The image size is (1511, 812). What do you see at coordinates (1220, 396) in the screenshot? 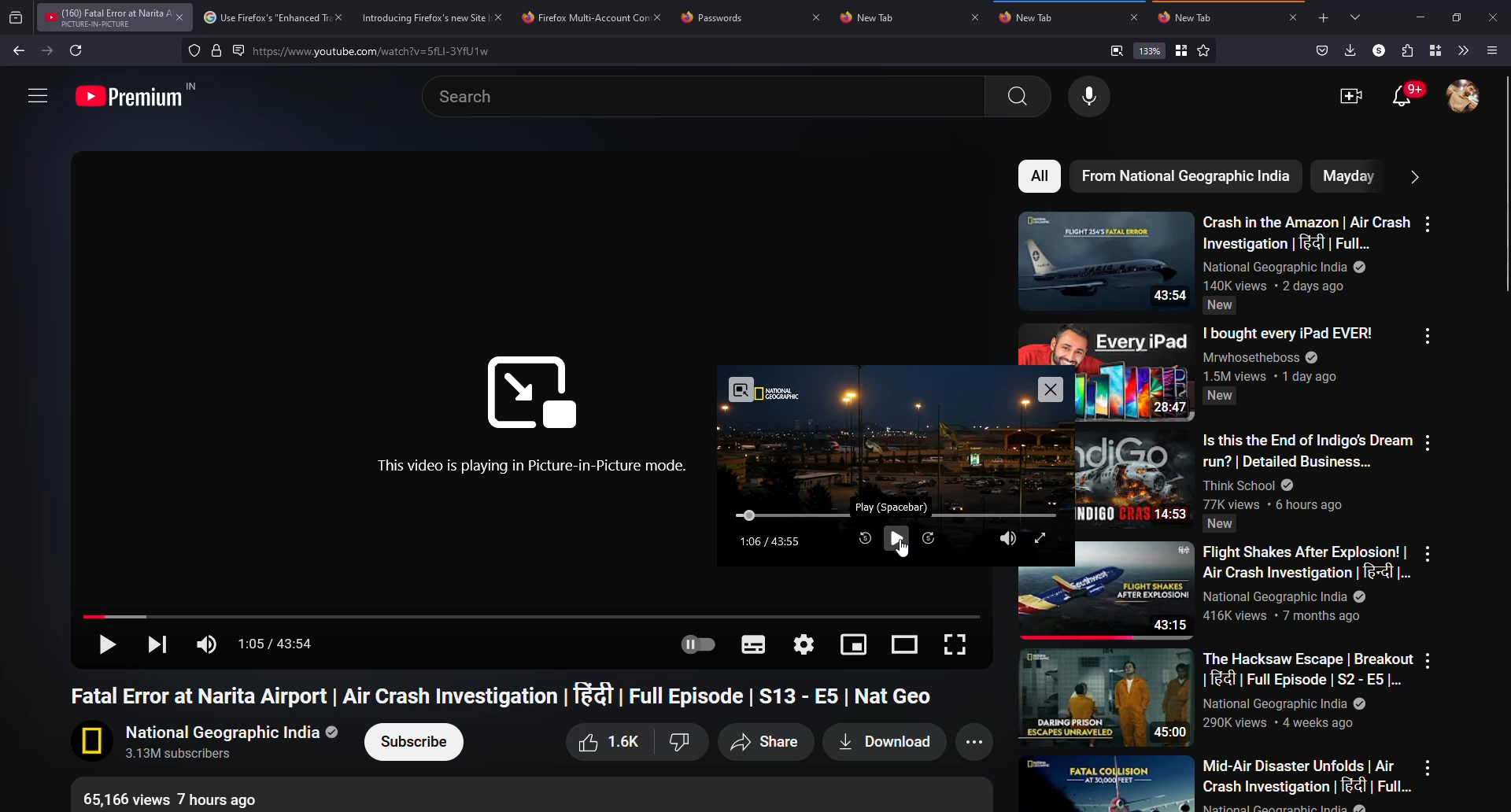
I see `Indicates video is new` at bounding box center [1220, 396].